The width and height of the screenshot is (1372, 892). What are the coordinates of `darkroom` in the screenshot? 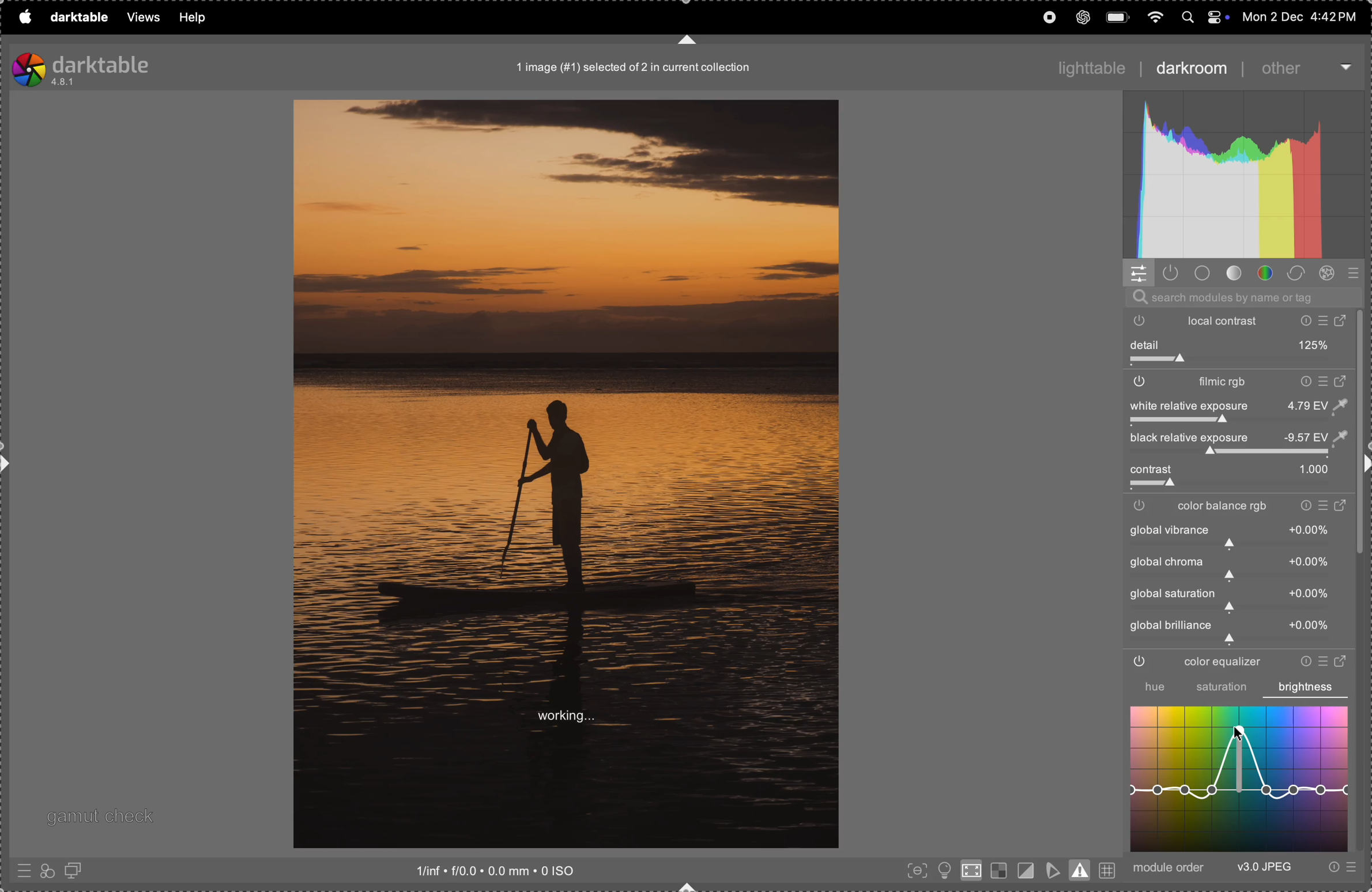 It's located at (1190, 70).